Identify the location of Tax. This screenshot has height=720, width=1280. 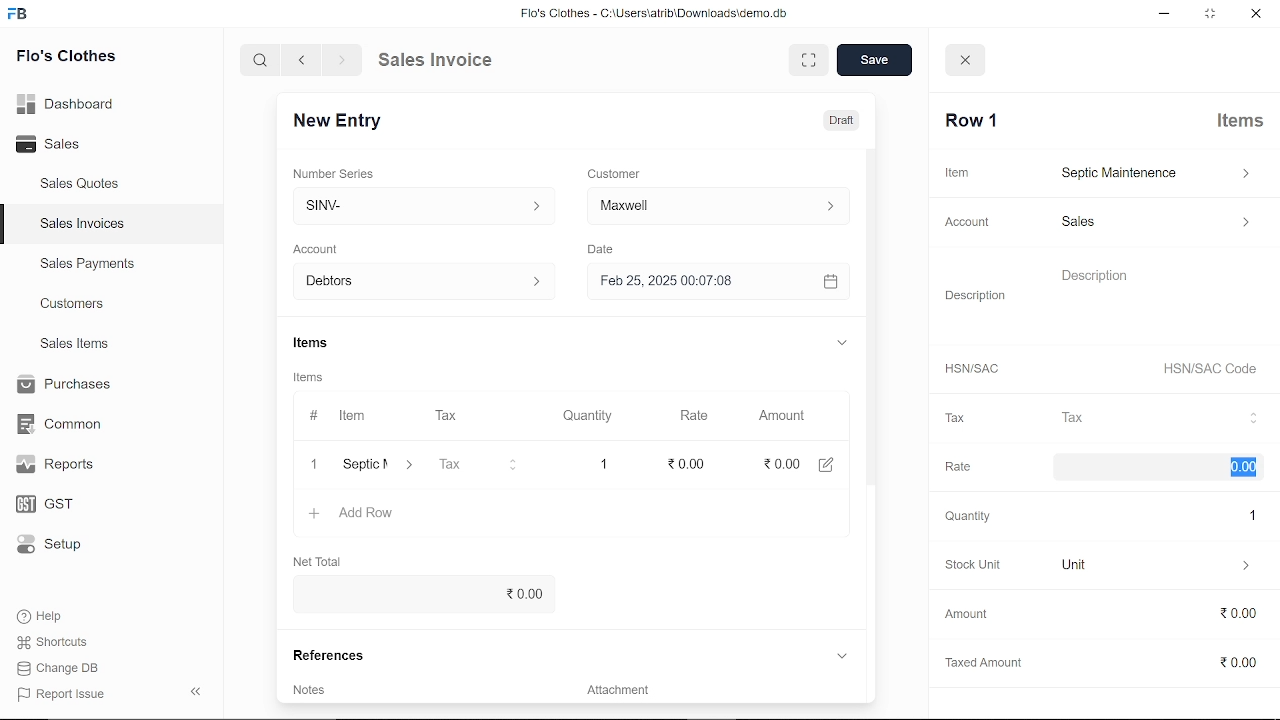
(954, 419).